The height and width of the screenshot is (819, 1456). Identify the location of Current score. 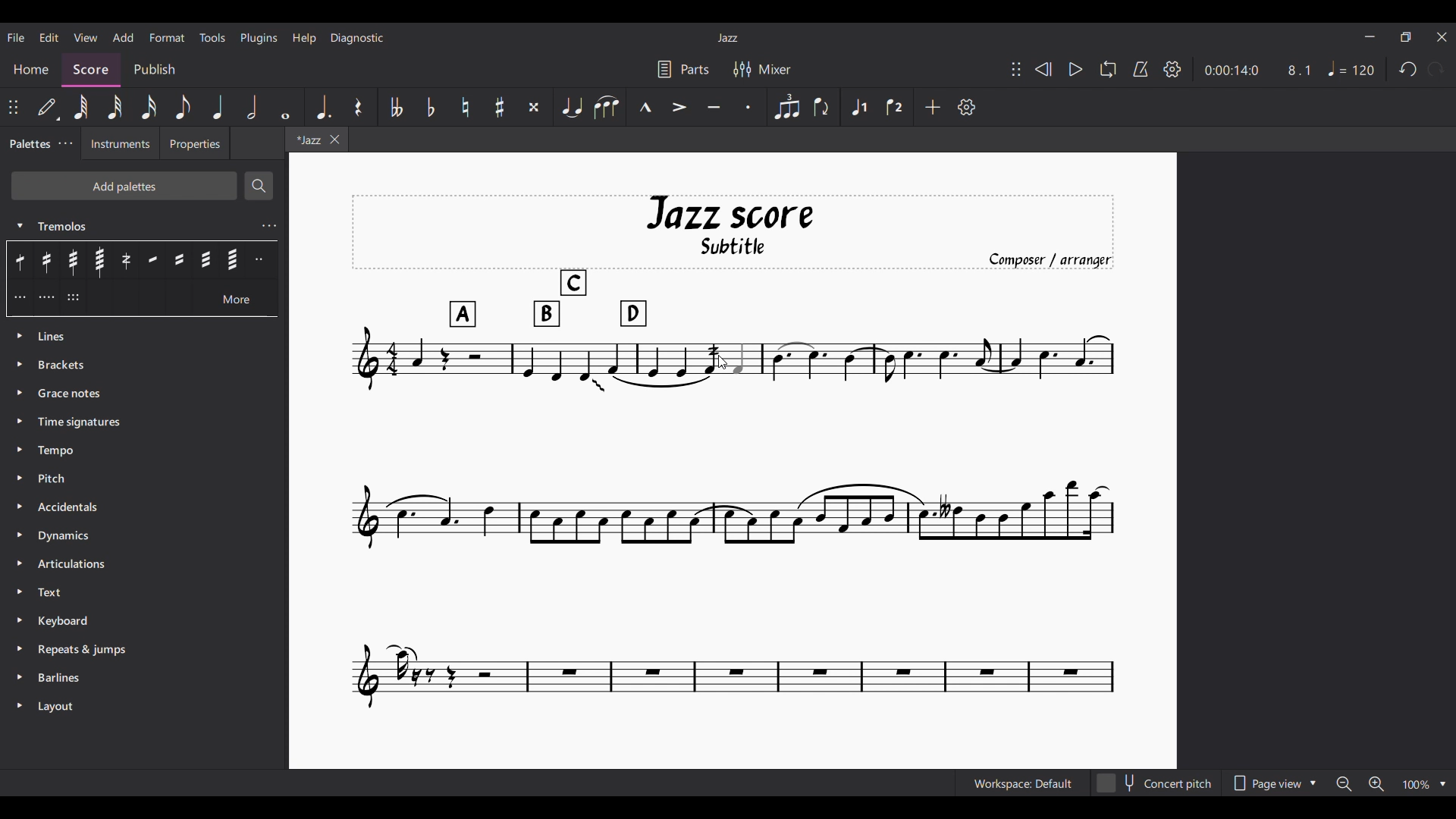
(525, 356).